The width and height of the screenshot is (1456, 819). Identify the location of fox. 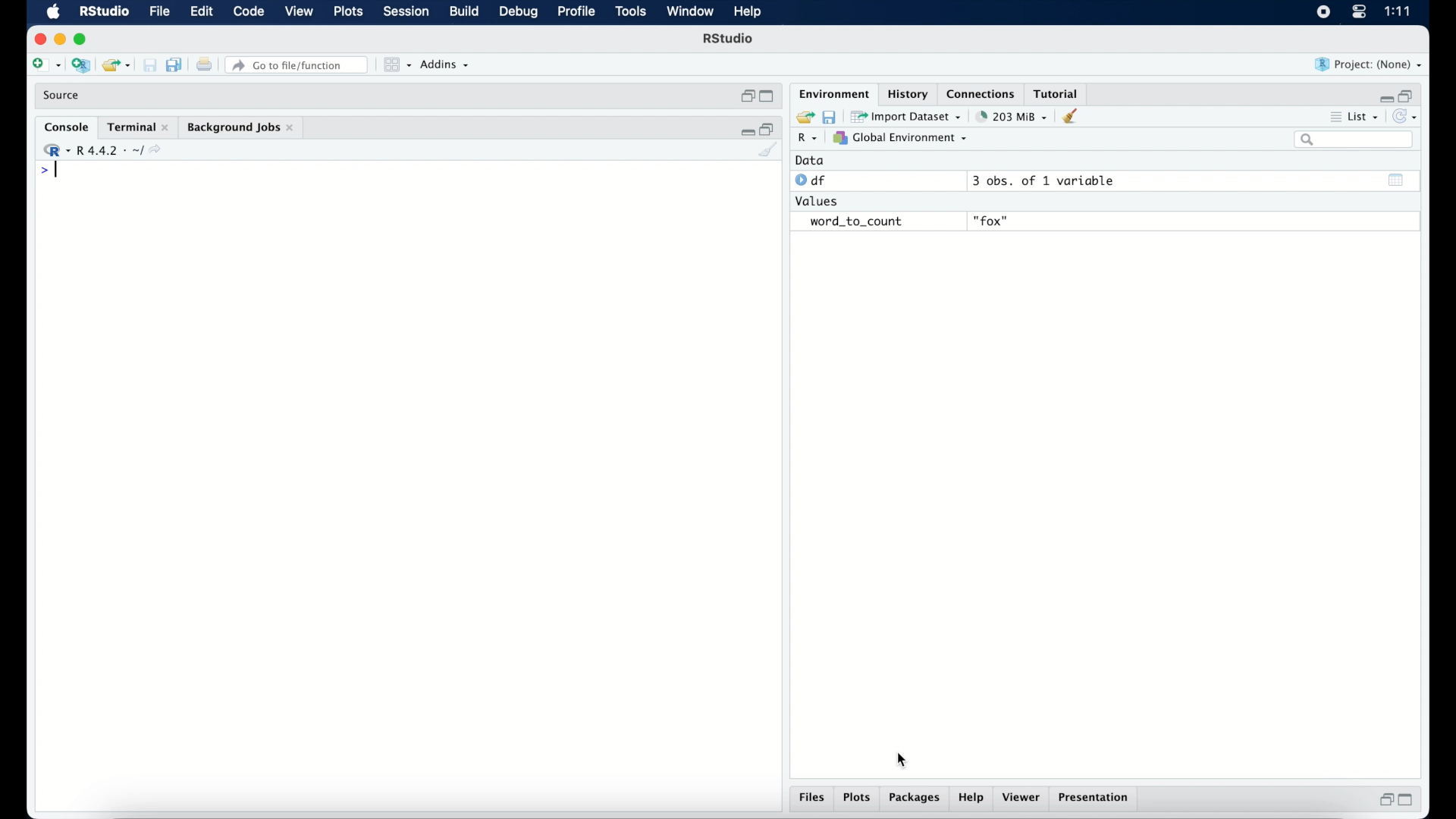
(992, 221).